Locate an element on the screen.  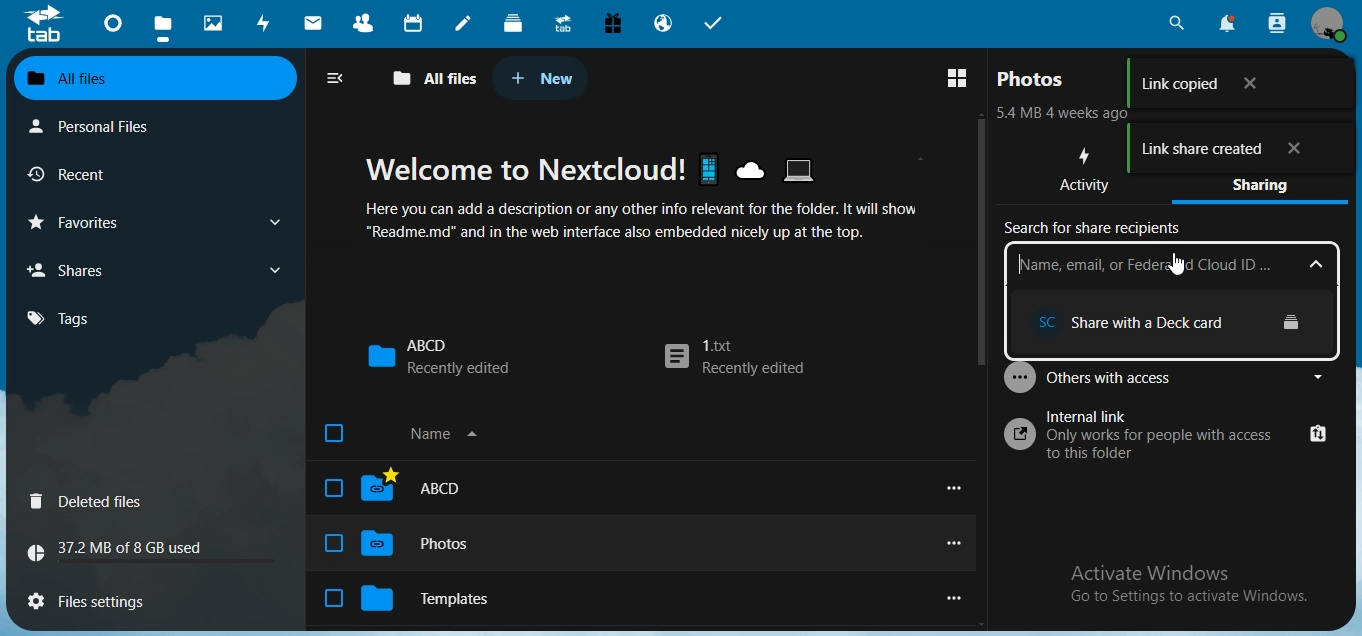
deleted files is located at coordinates (91, 503).